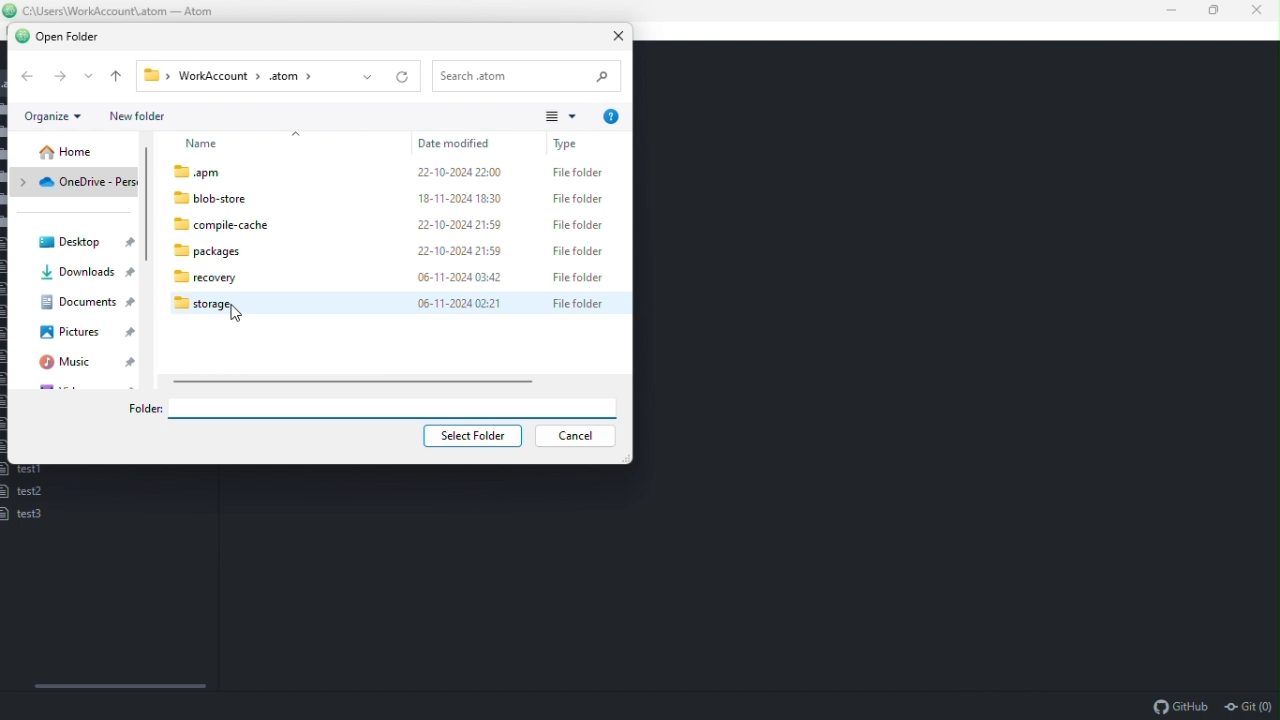  Describe the element at coordinates (72, 182) in the screenshot. I see `Onedrive` at that location.